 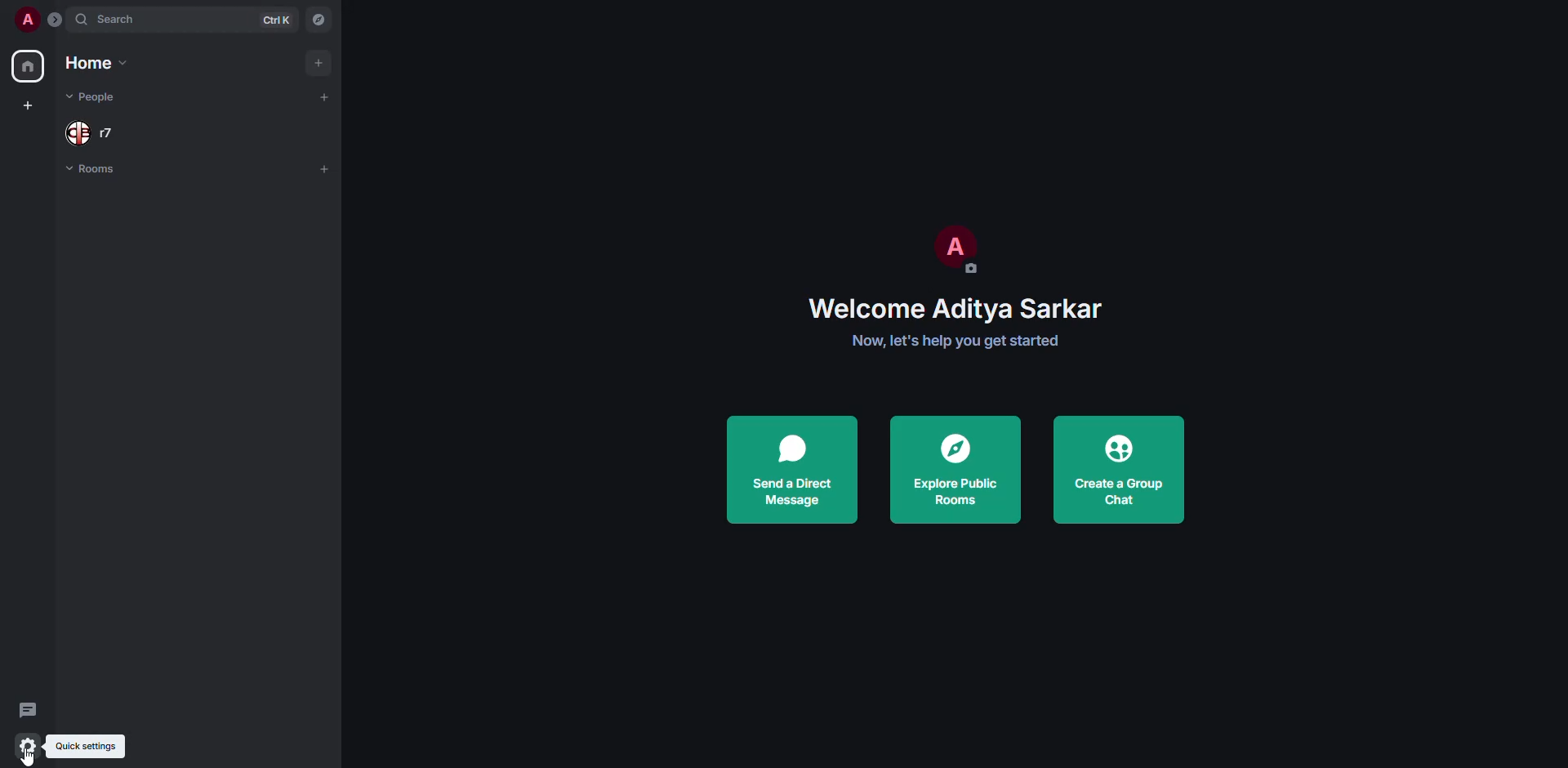 I want to click on expand, so click(x=56, y=18).